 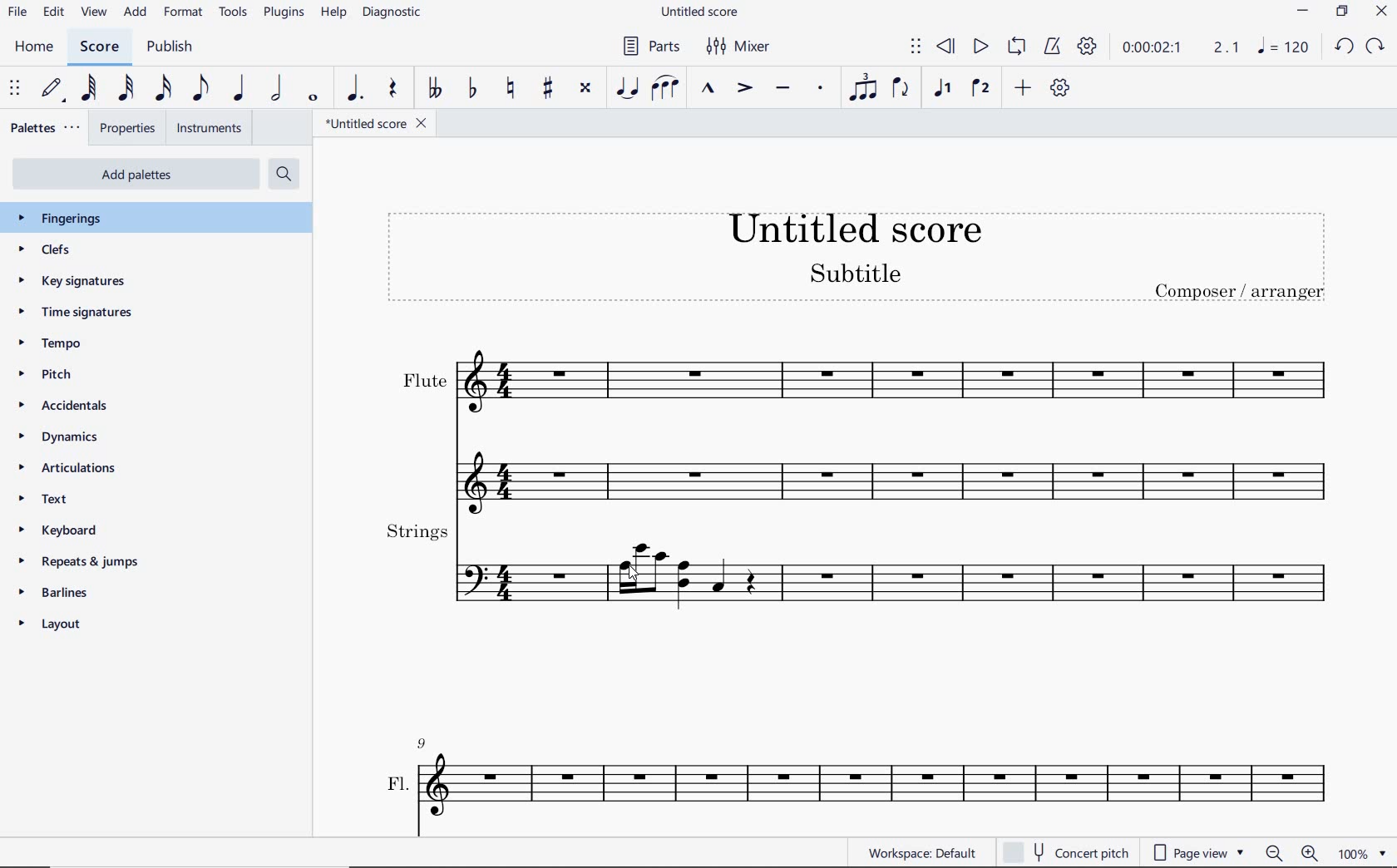 I want to click on add, so click(x=136, y=13).